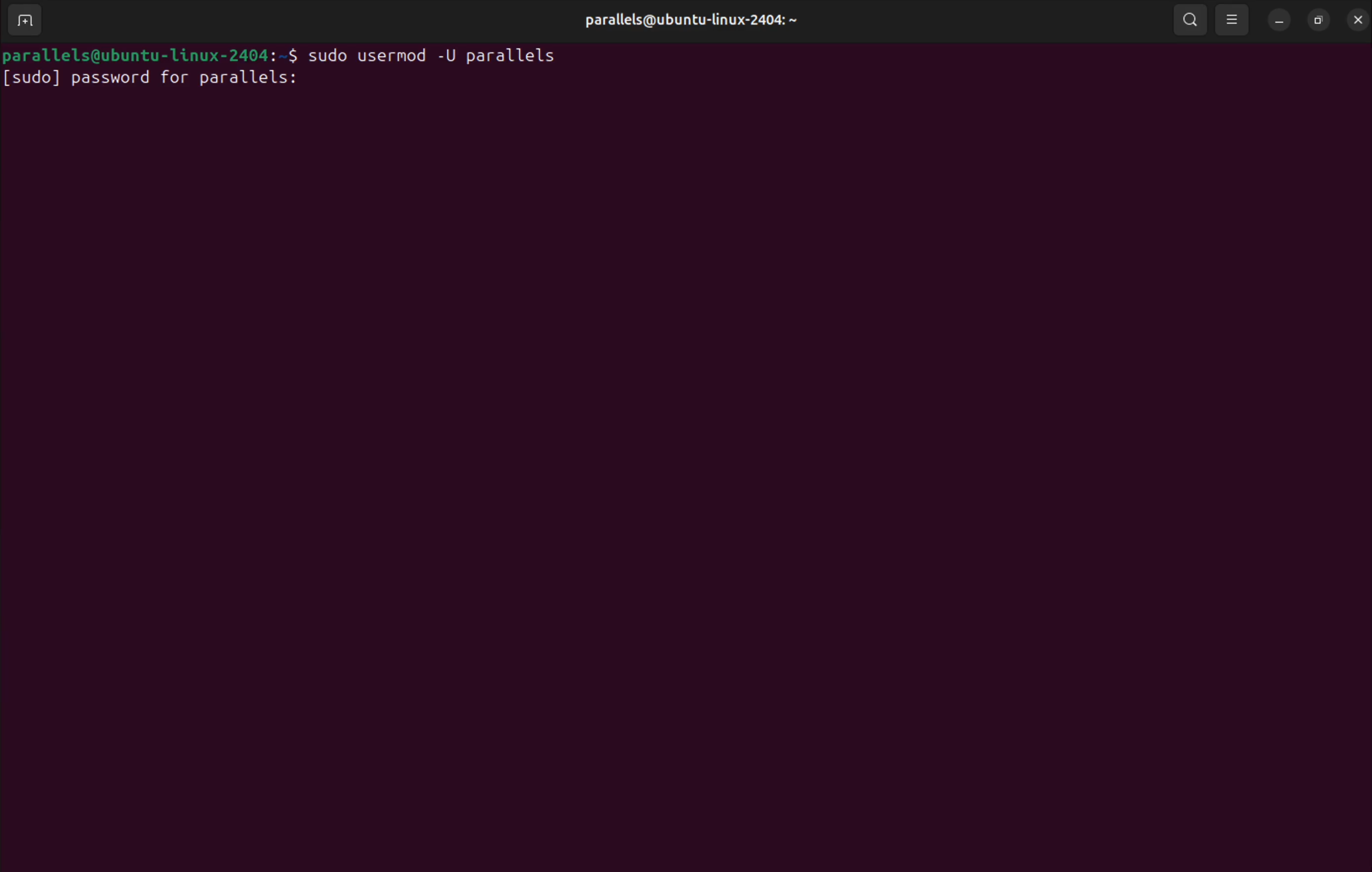 Image resolution: width=1372 pixels, height=872 pixels. Describe the element at coordinates (30, 21) in the screenshot. I see `add terminal window` at that location.